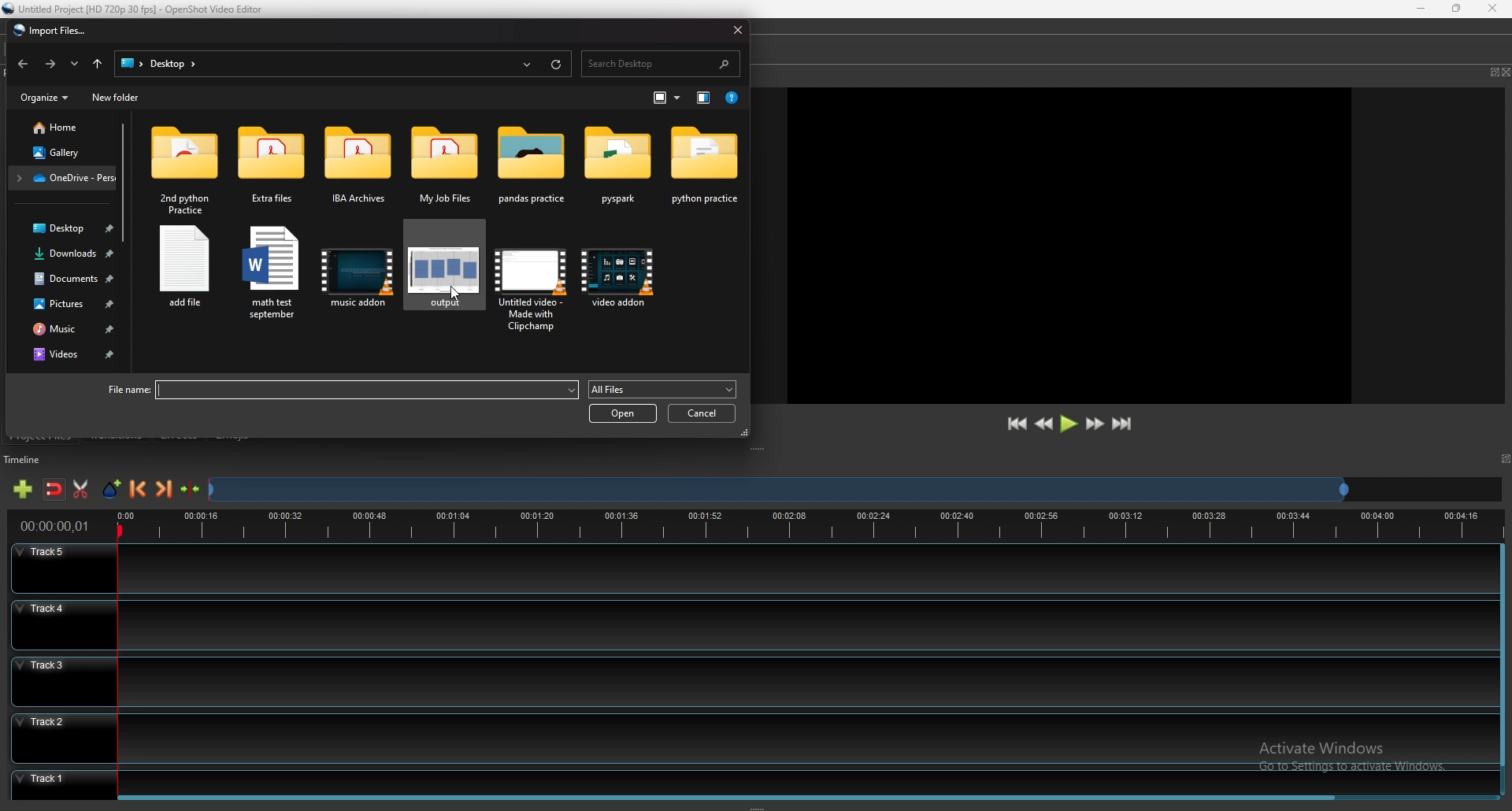 Image resolution: width=1512 pixels, height=811 pixels. Describe the element at coordinates (165, 488) in the screenshot. I see `next marker` at that location.